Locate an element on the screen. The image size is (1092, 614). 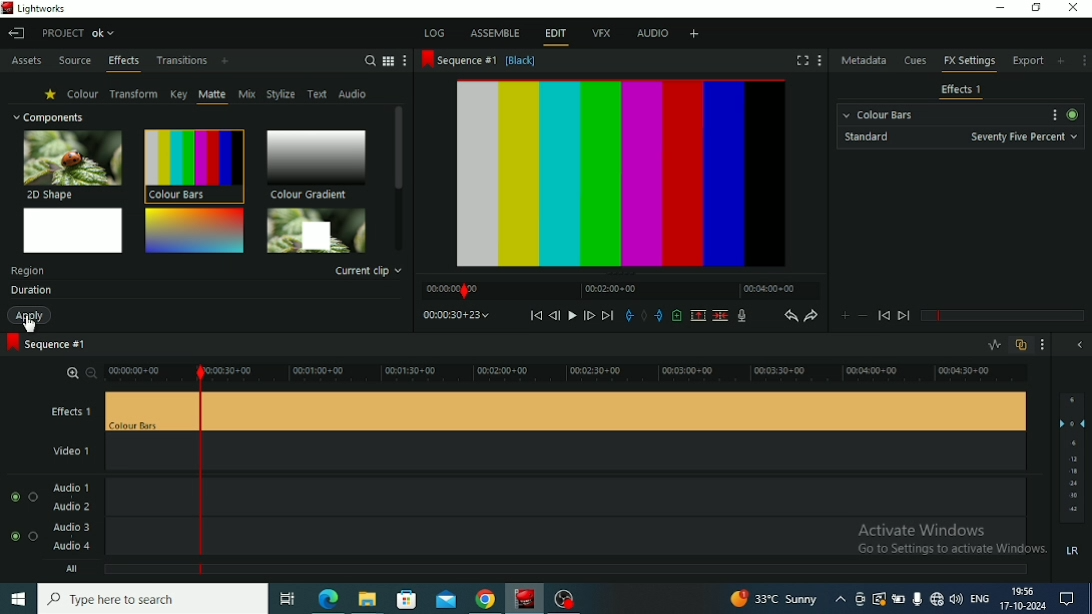
Microsoft store is located at coordinates (405, 597).